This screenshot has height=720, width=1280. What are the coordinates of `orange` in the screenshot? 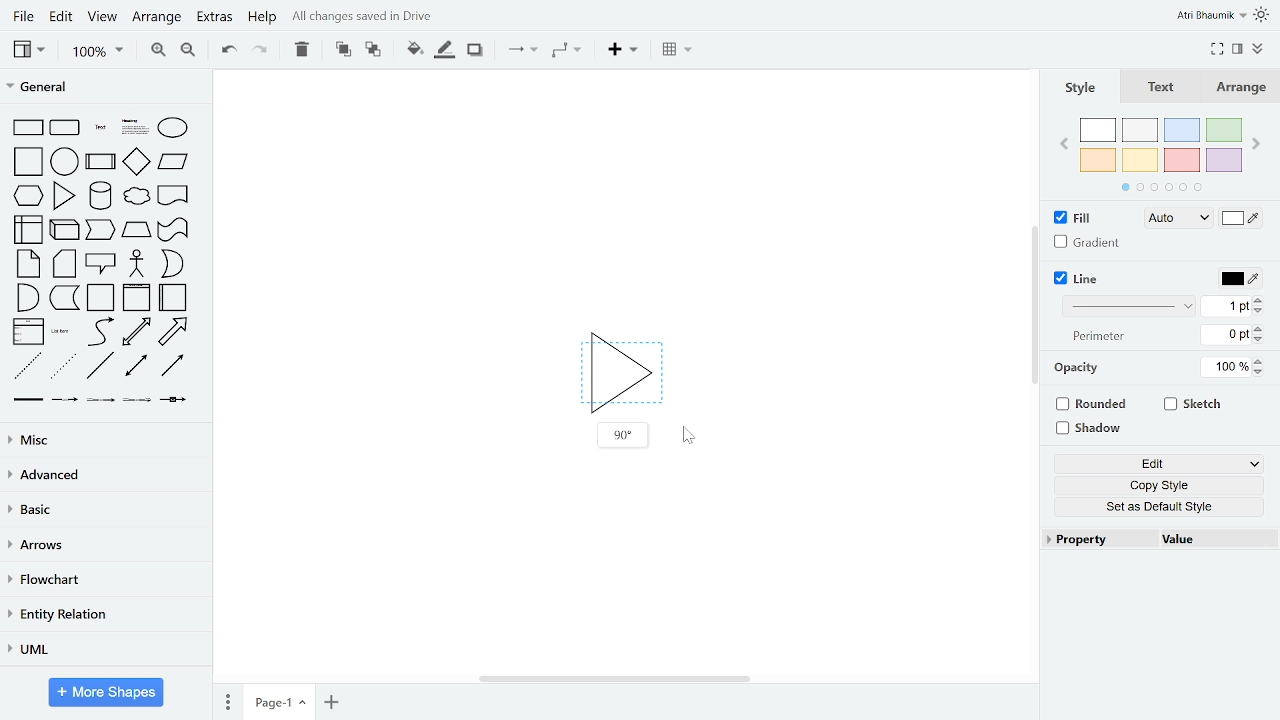 It's located at (1098, 159).